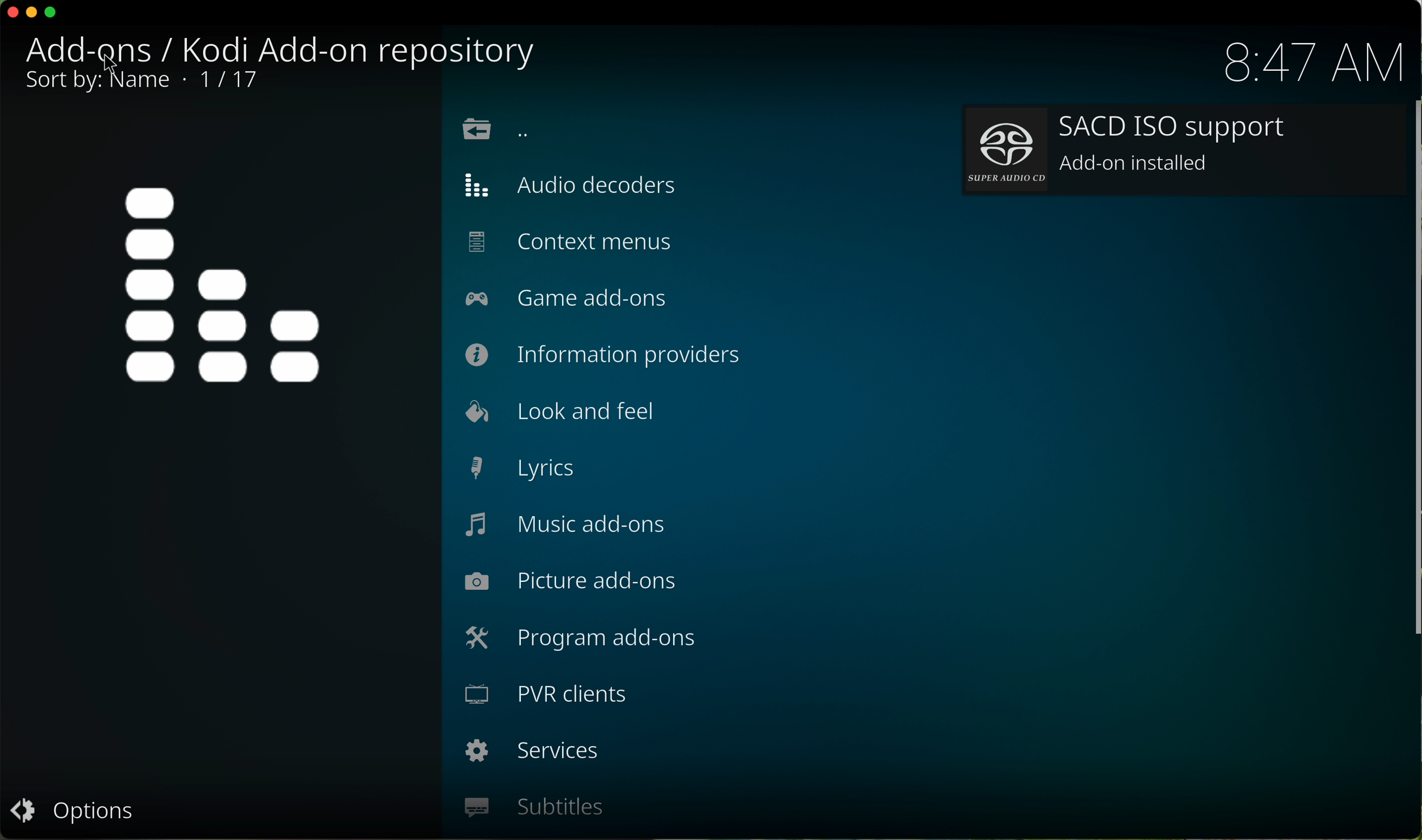 This screenshot has height=840, width=1422. Describe the element at coordinates (567, 242) in the screenshot. I see `context menus` at that location.